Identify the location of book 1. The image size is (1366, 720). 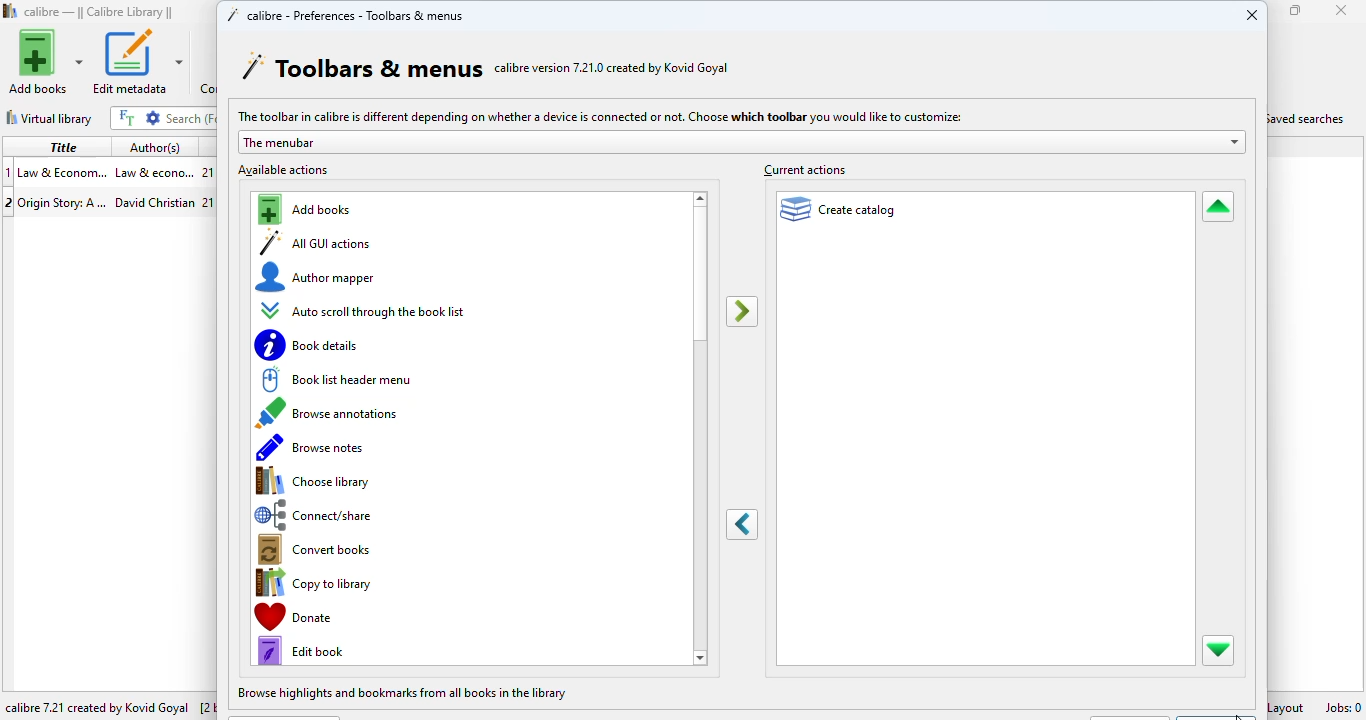
(107, 171).